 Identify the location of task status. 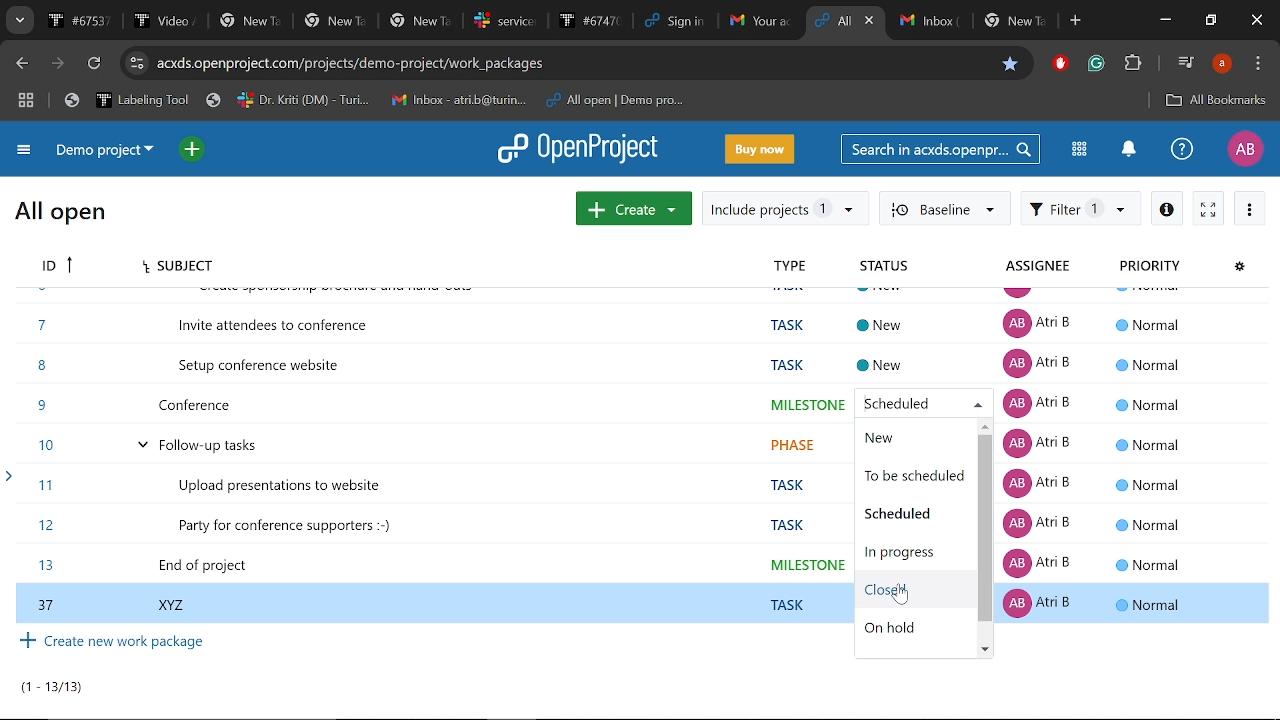
(890, 336).